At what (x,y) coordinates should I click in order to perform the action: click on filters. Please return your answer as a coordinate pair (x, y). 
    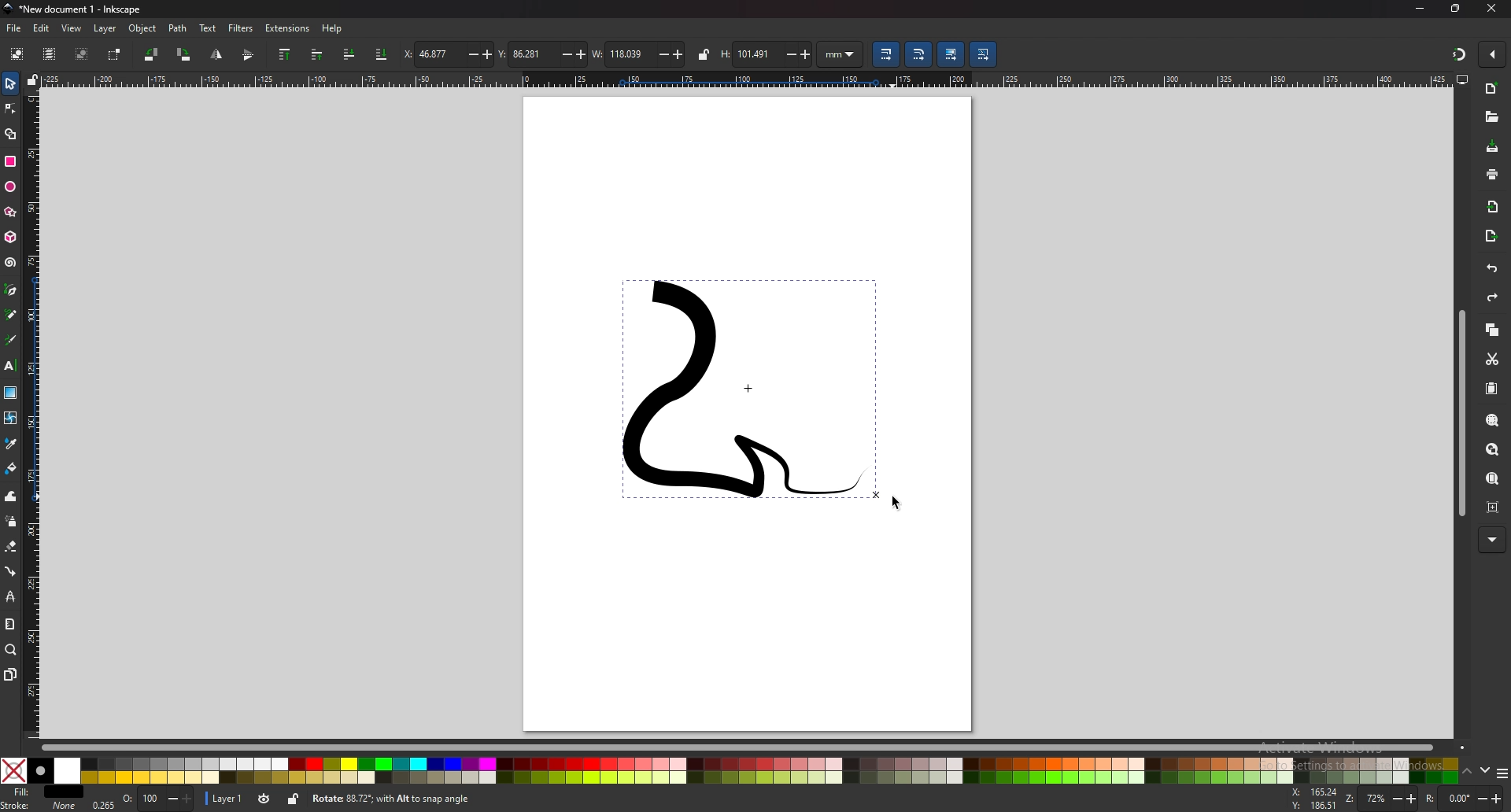
    Looking at the image, I should click on (241, 28).